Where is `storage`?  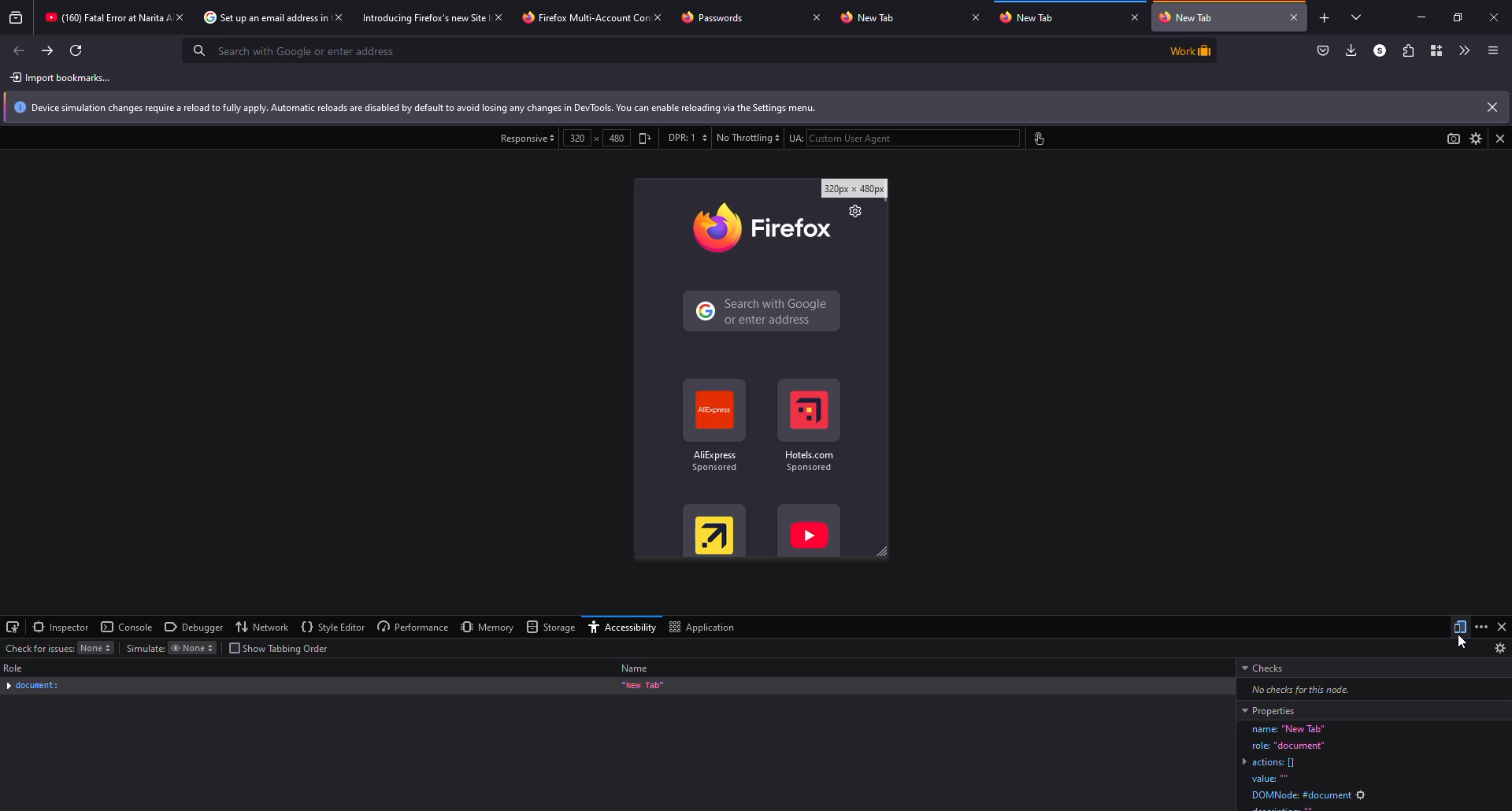
storage is located at coordinates (549, 626).